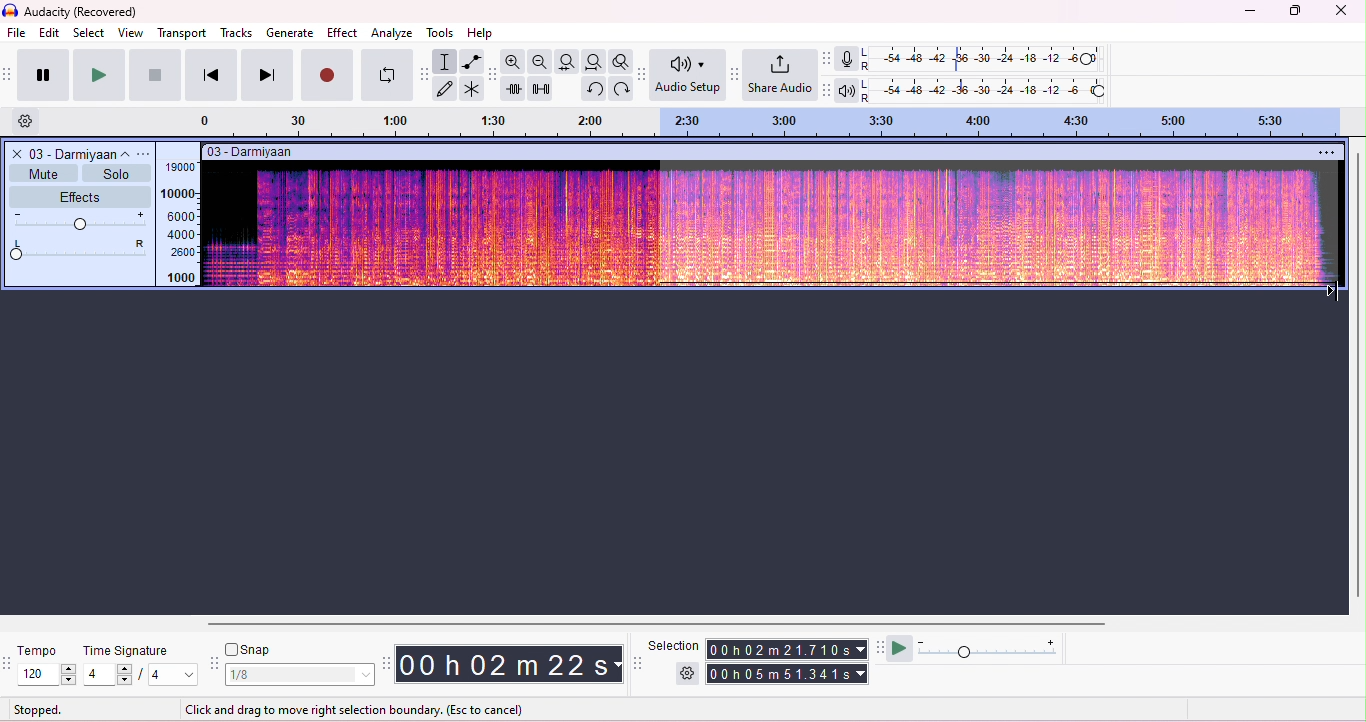 The height and width of the screenshot is (722, 1366). I want to click on zoom out, so click(541, 61).